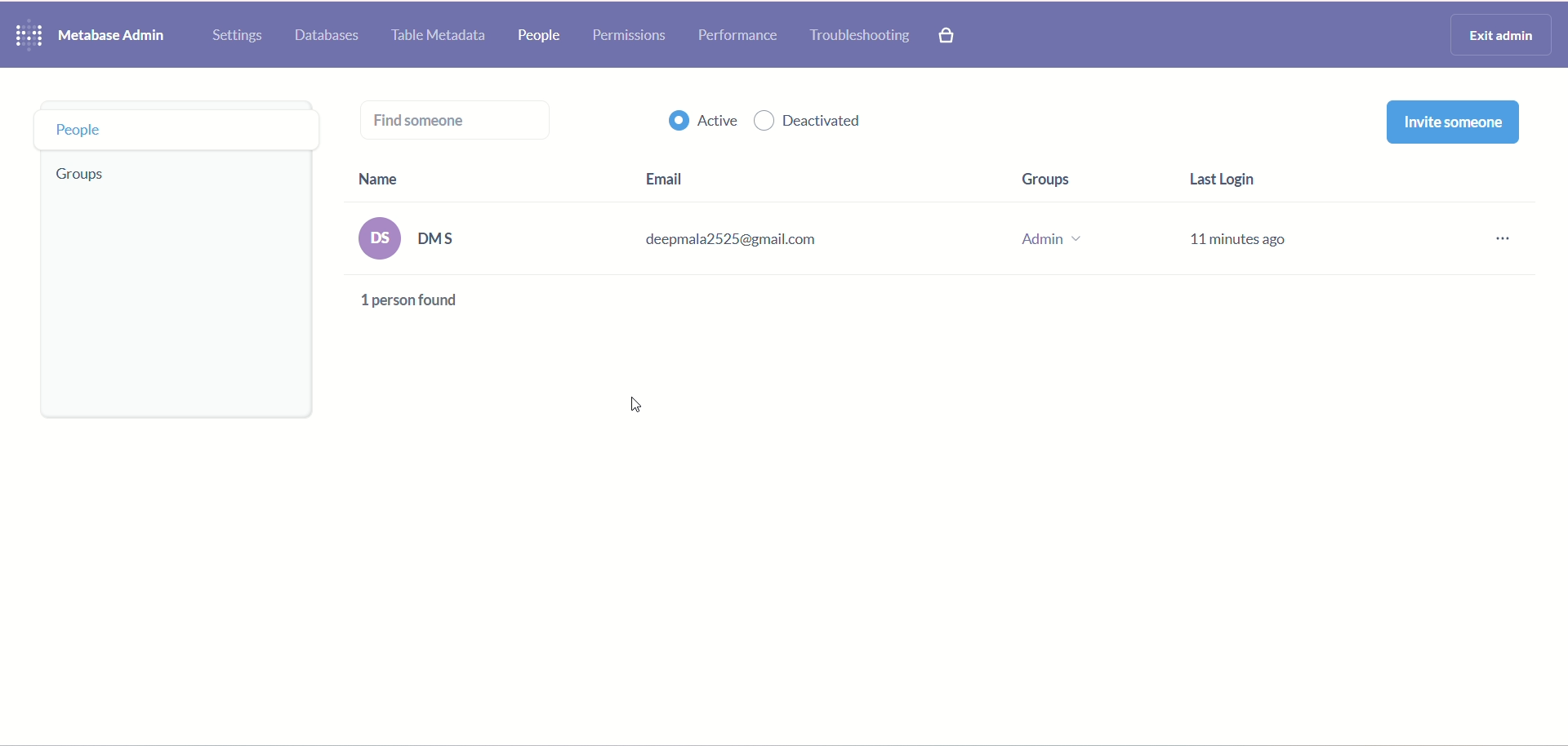 This screenshot has height=746, width=1568. Describe the element at coordinates (331, 37) in the screenshot. I see `databases` at that location.